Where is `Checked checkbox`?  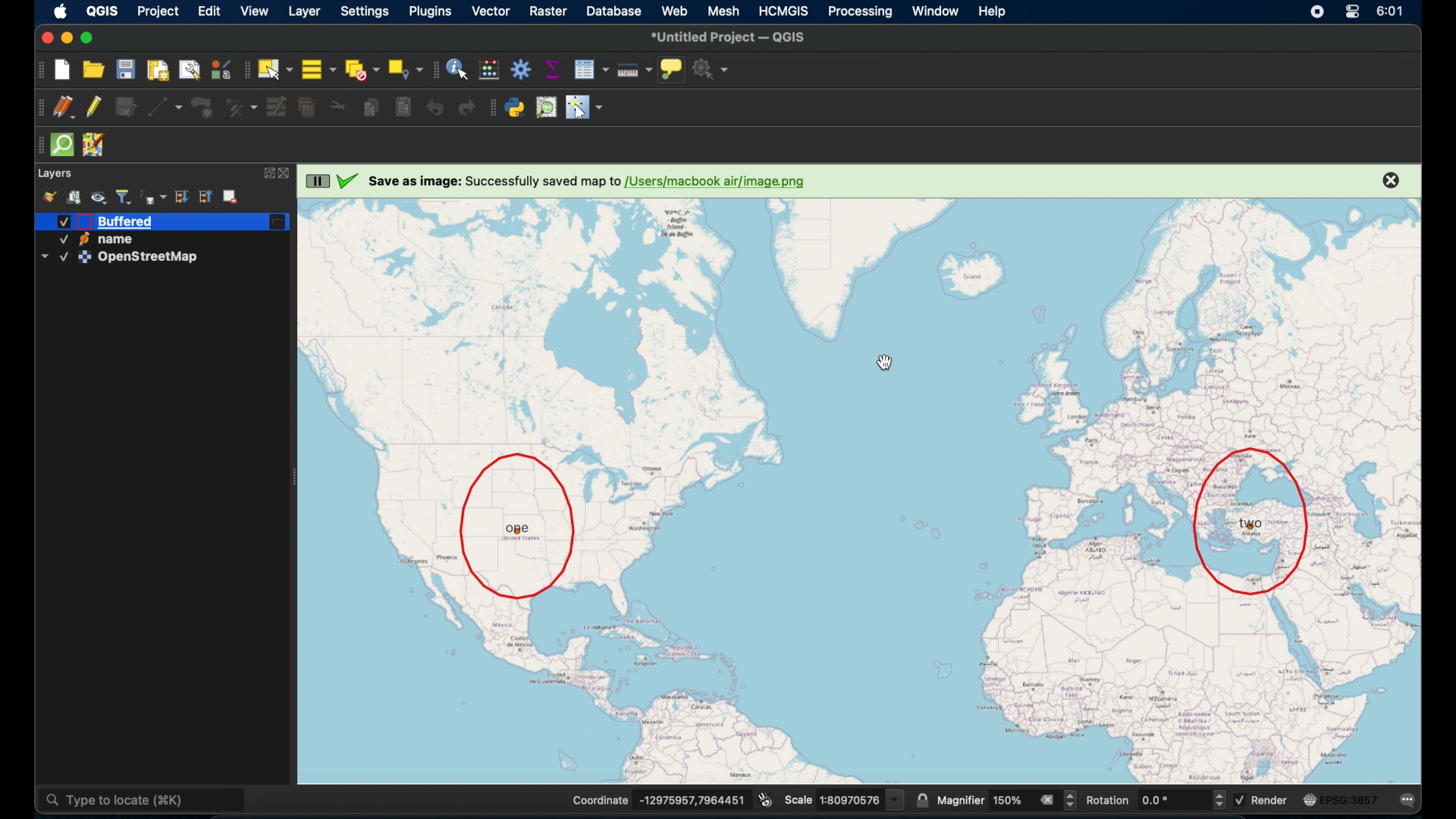 Checked checkbox is located at coordinates (1241, 800).